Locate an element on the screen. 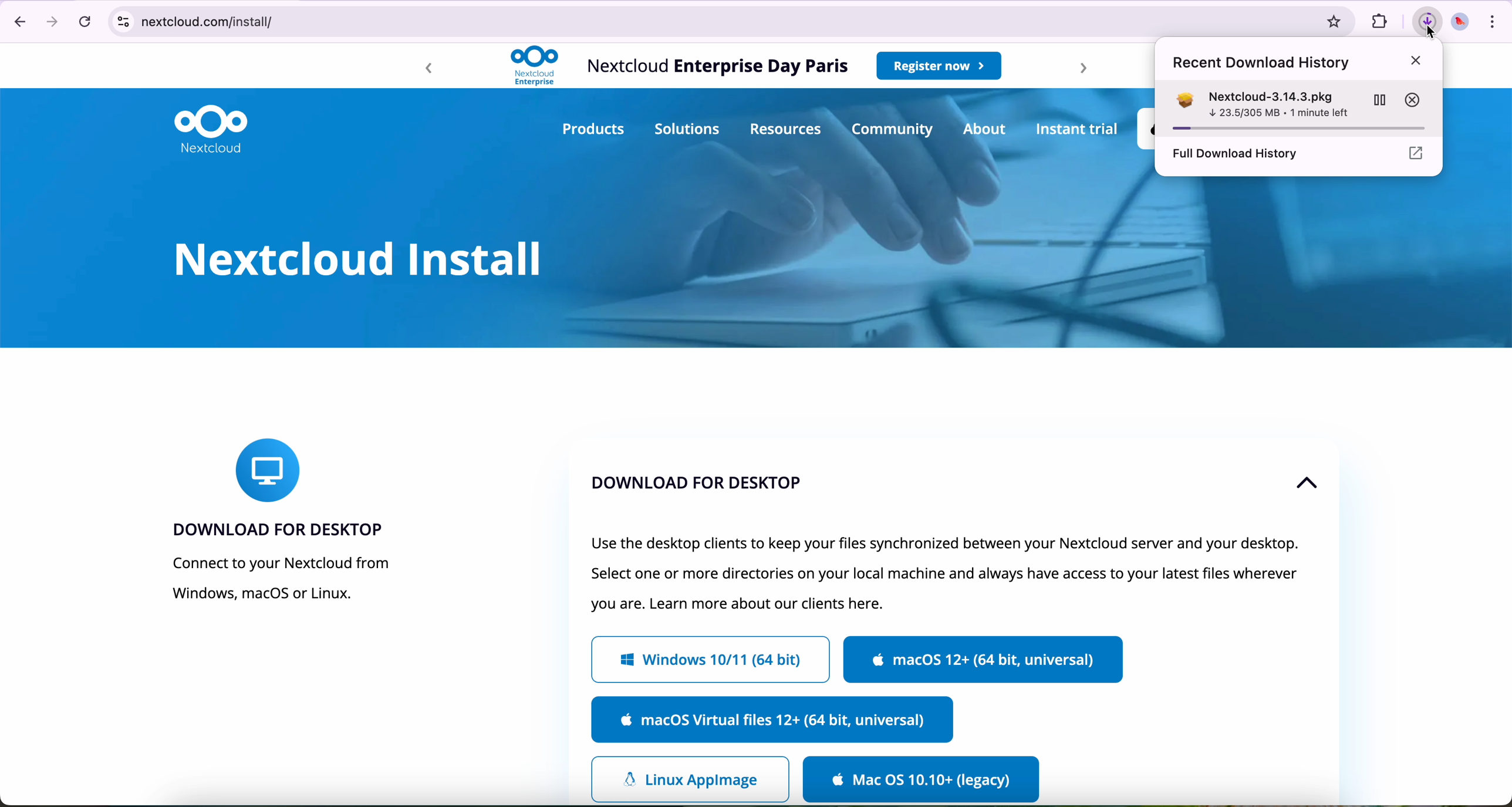 The width and height of the screenshot is (1512, 807). register now button is located at coordinates (939, 65).